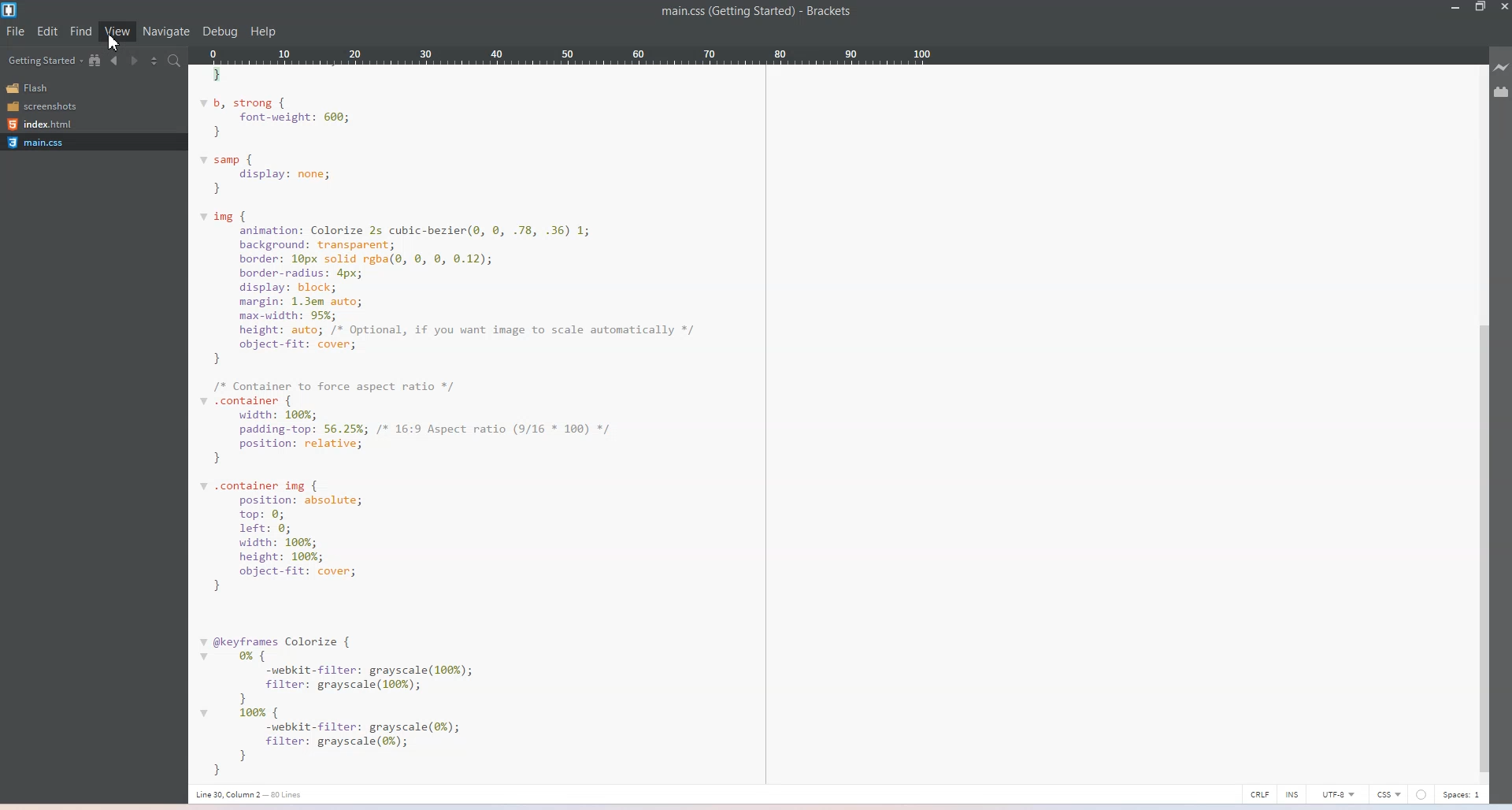 This screenshot has height=810, width=1512. What do you see at coordinates (722, 12) in the screenshot?
I see `main.css ` at bounding box center [722, 12].